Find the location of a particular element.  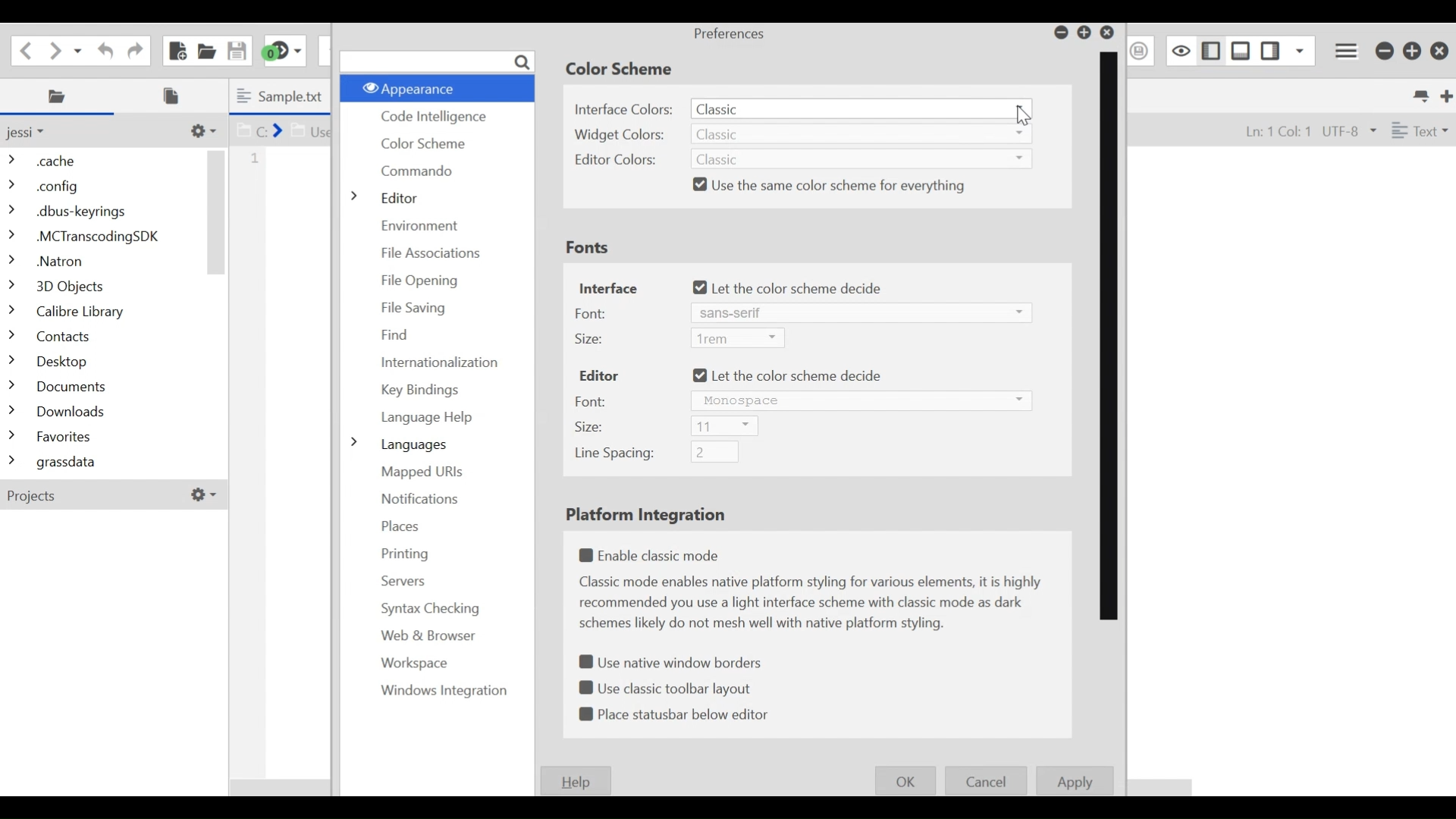

Appearance is located at coordinates (435, 87).